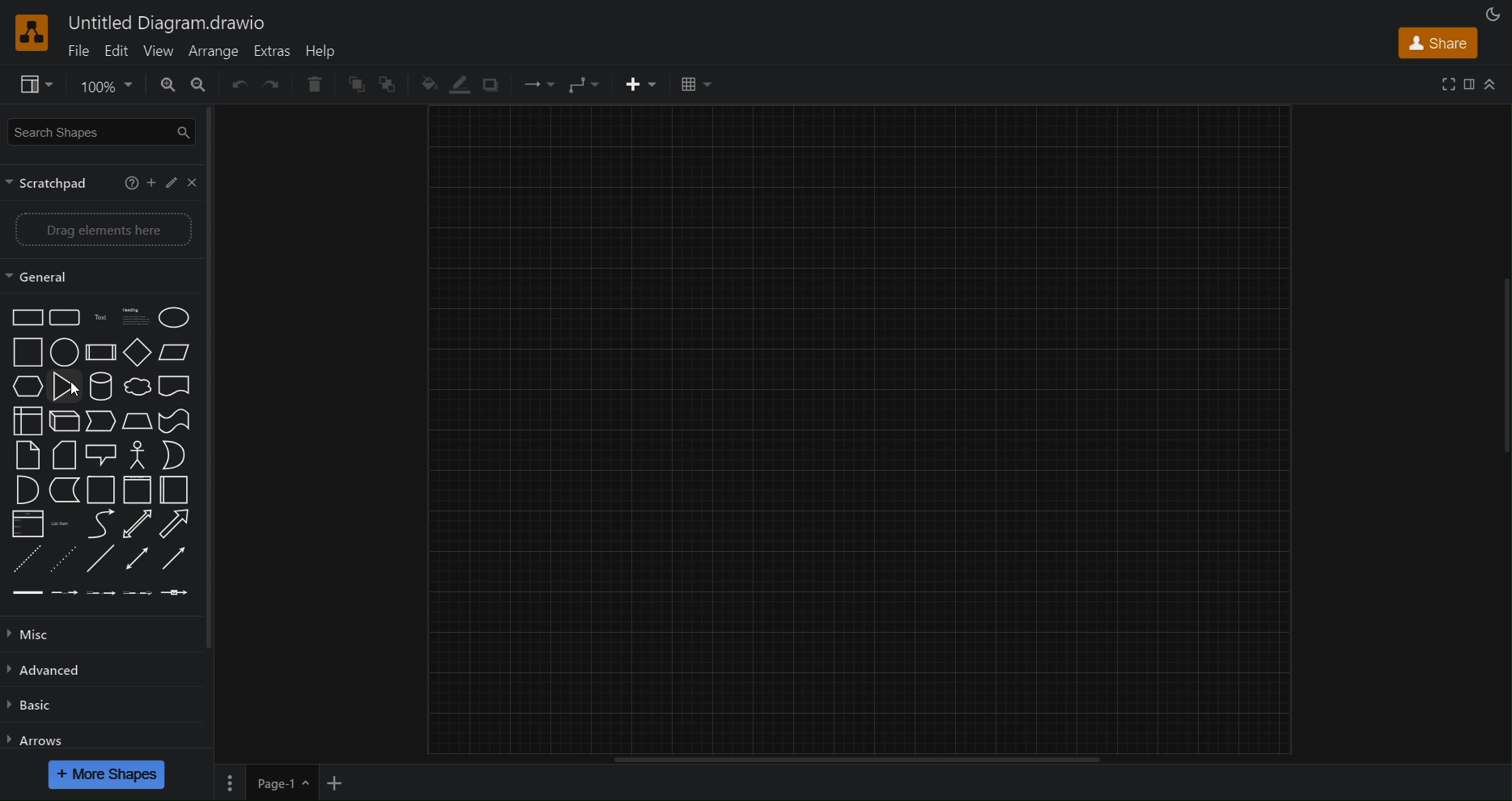 Image resolution: width=1512 pixels, height=801 pixels. What do you see at coordinates (491, 85) in the screenshot?
I see `Shadow` at bounding box center [491, 85].